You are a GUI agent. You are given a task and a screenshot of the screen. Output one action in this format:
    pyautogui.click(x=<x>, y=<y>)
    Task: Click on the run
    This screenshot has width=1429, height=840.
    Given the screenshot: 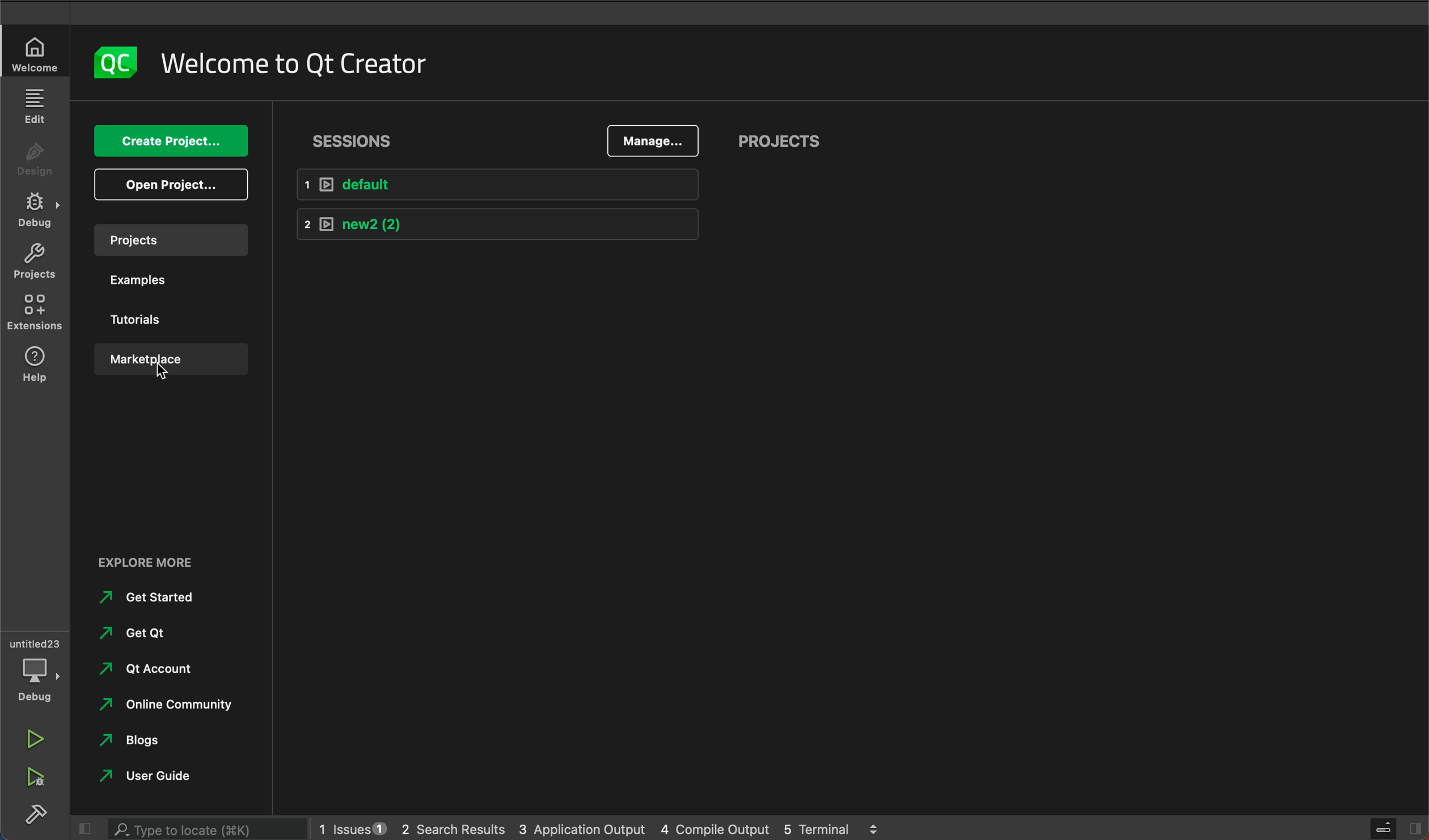 What is the action you would take?
    pyautogui.click(x=35, y=737)
    